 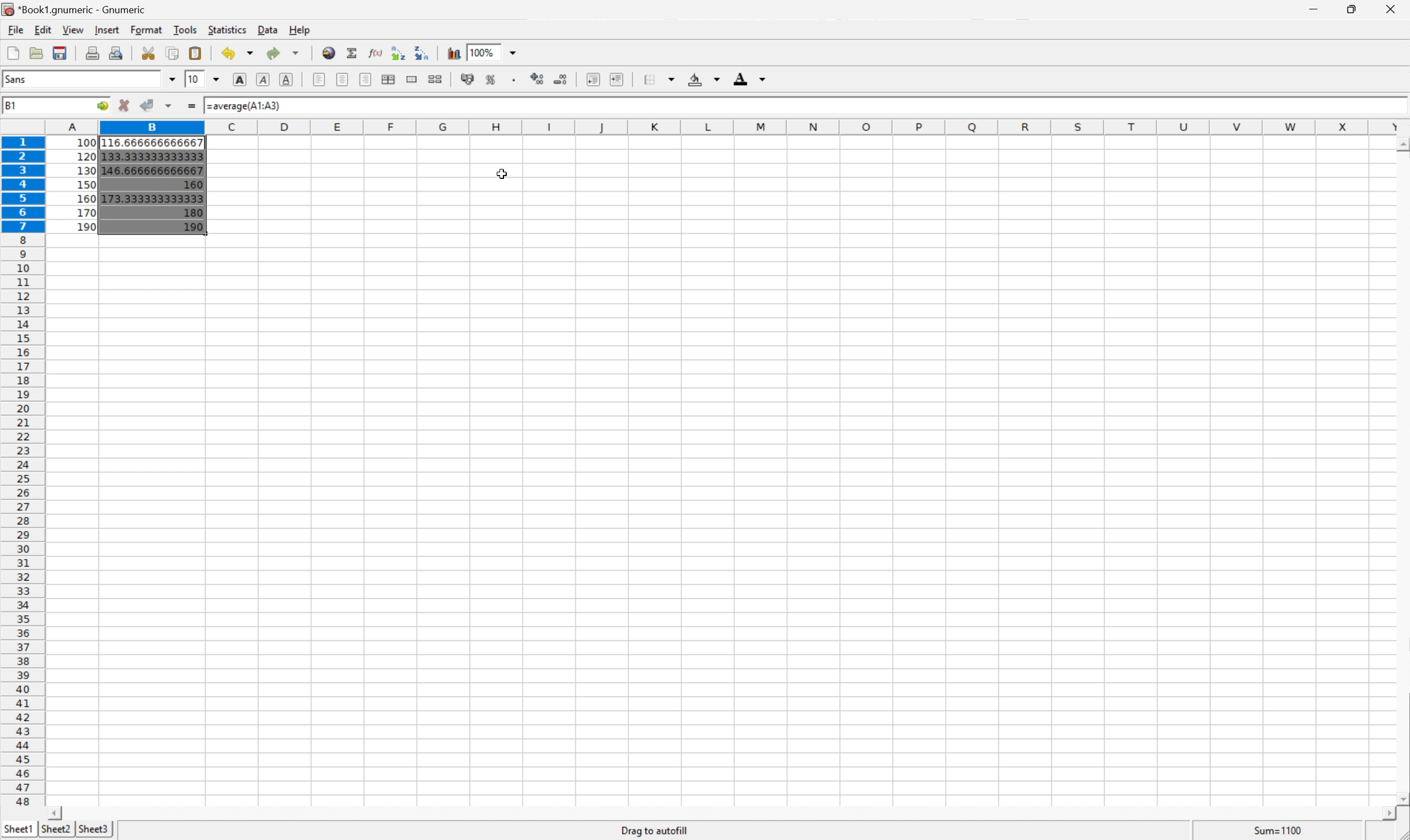 I want to click on Underline, so click(x=287, y=80).